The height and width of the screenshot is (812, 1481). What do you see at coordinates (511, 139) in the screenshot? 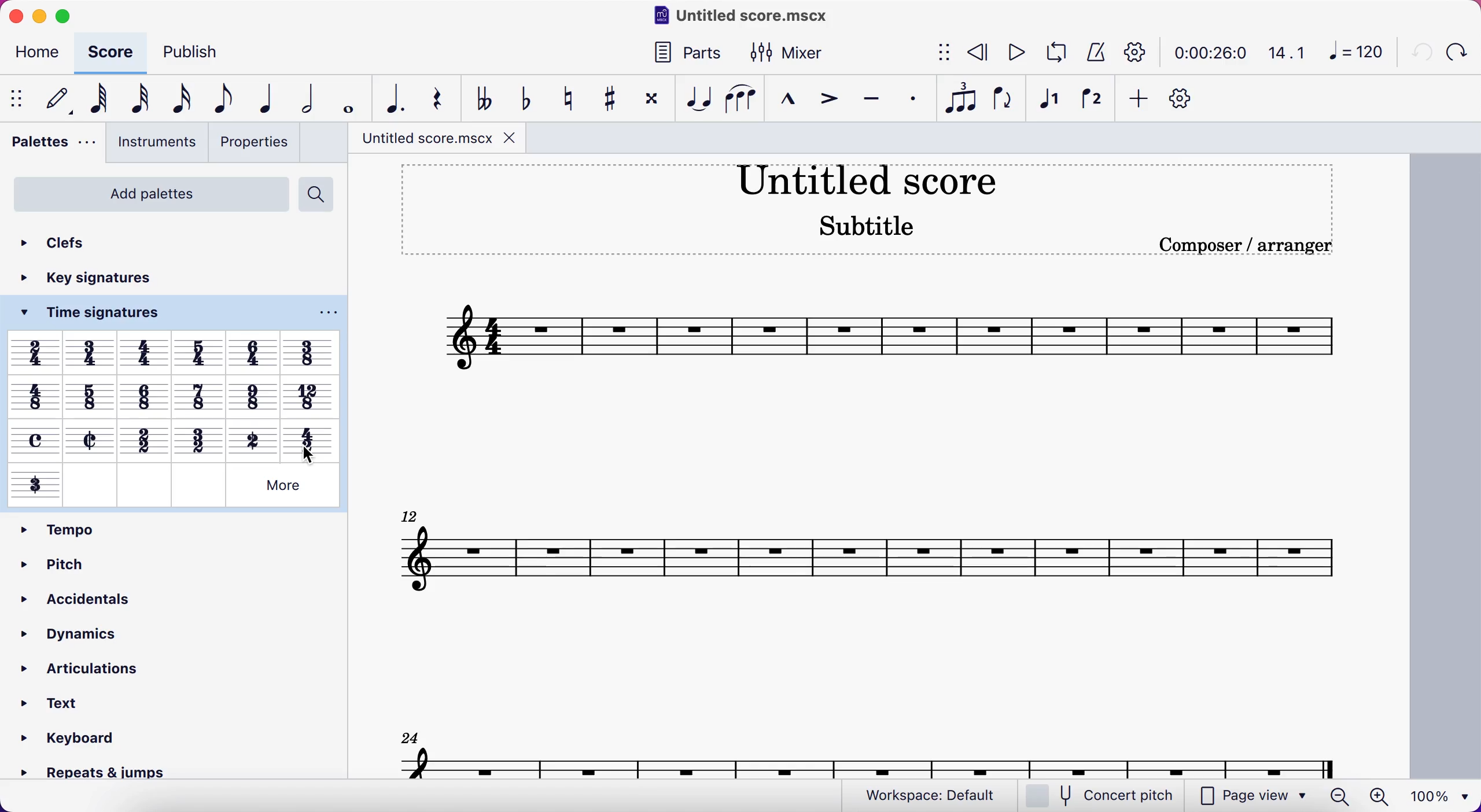
I see `close tab` at bounding box center [511, 139].